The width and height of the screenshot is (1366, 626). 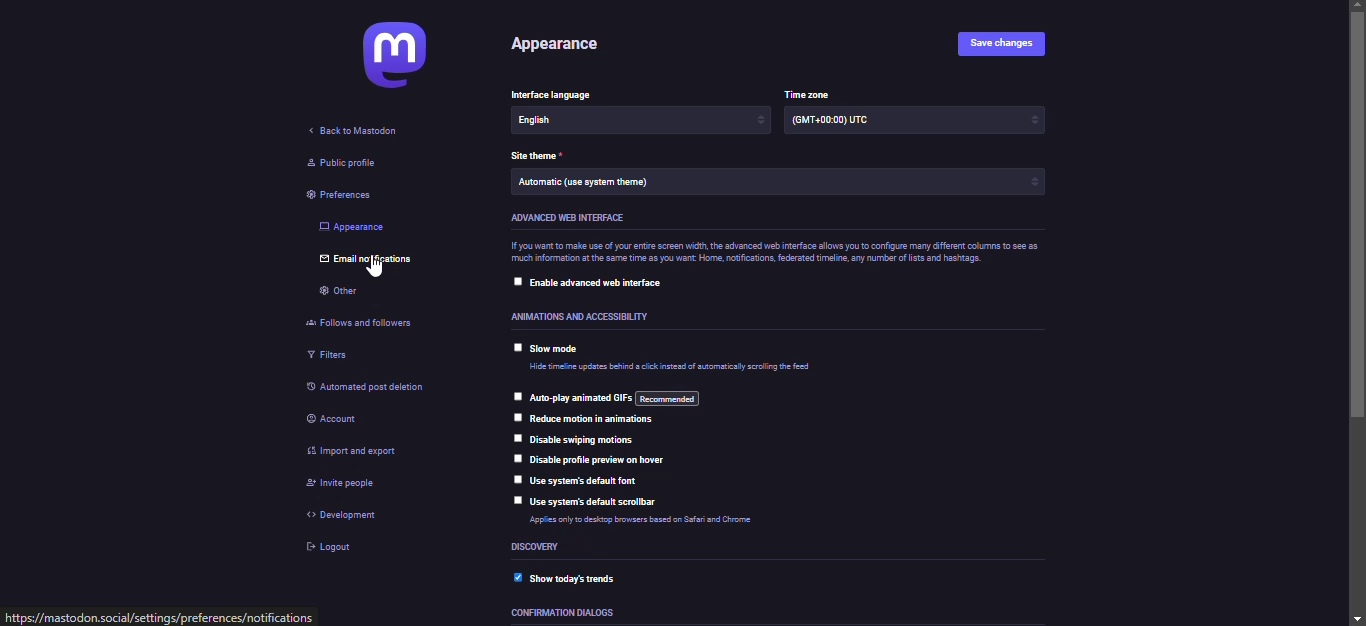 I want to click on slow mode, so click(x=556, y=351).